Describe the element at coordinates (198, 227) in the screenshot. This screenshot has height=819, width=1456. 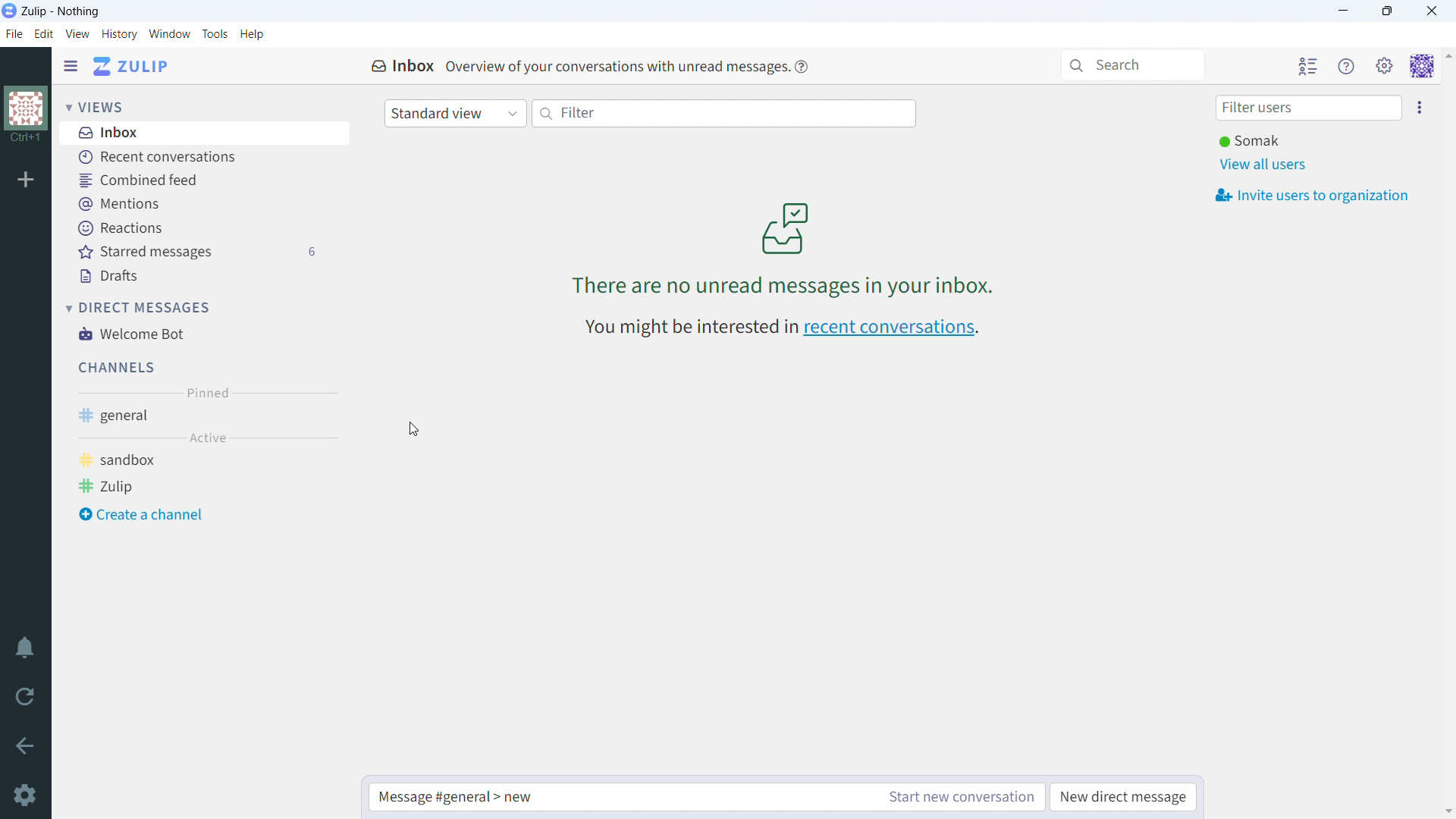
I see `reactions` at that location.